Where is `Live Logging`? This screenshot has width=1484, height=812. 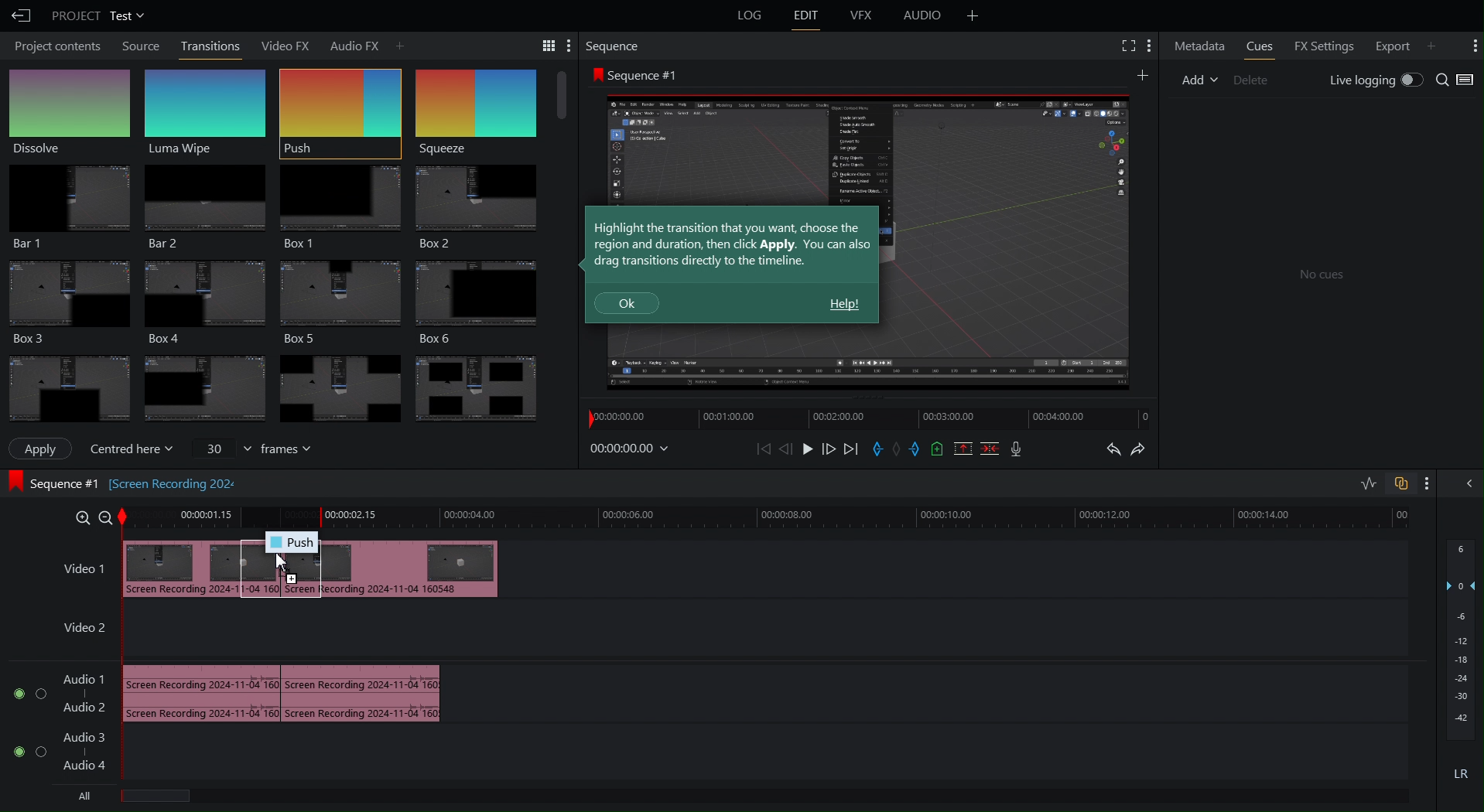
Live Logging is located at coordinates (1373, 80).